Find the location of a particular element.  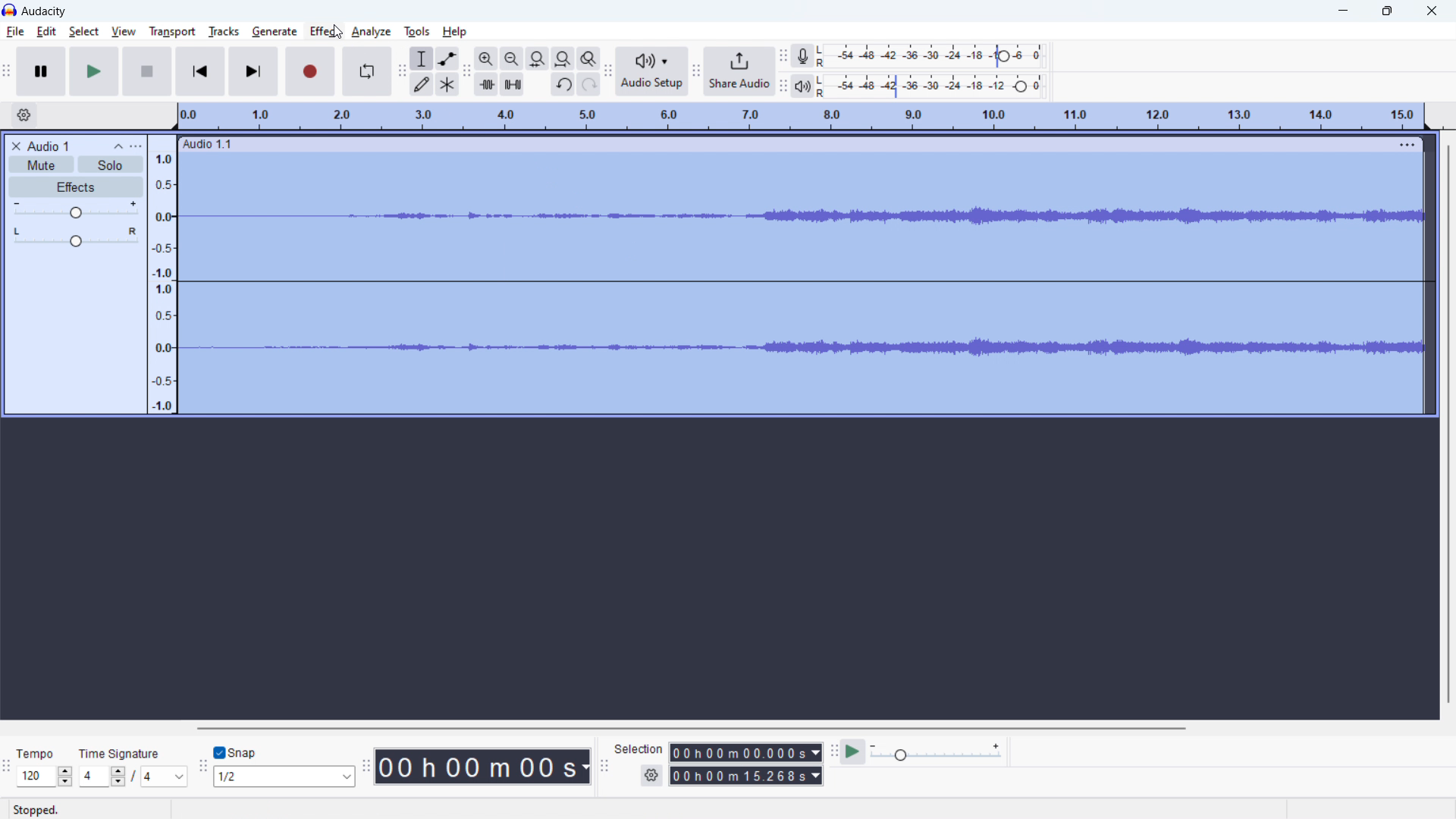

enable looping is located at coordinates (367, 71).